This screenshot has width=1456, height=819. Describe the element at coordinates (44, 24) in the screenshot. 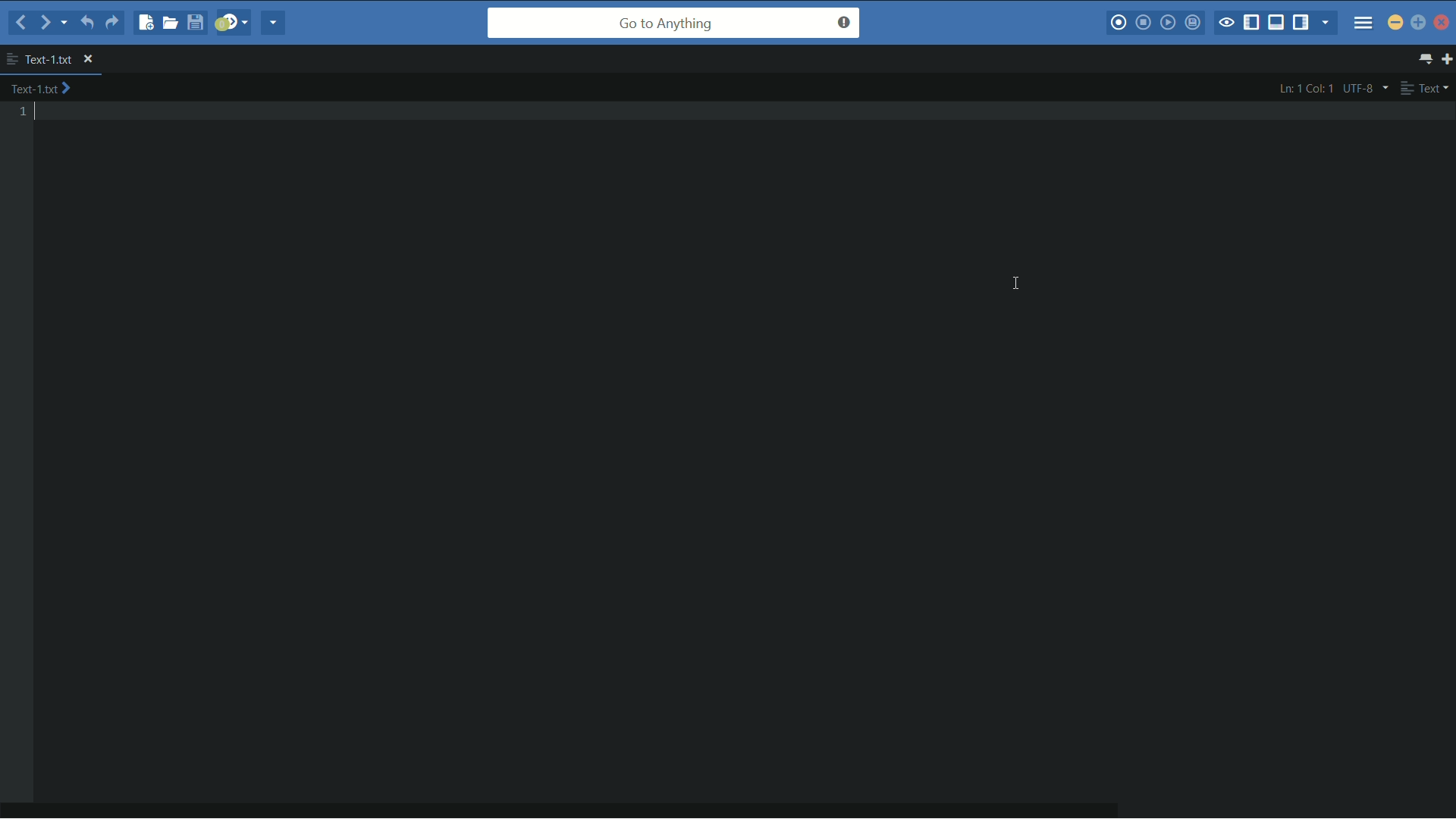

I see `forward` at that location.